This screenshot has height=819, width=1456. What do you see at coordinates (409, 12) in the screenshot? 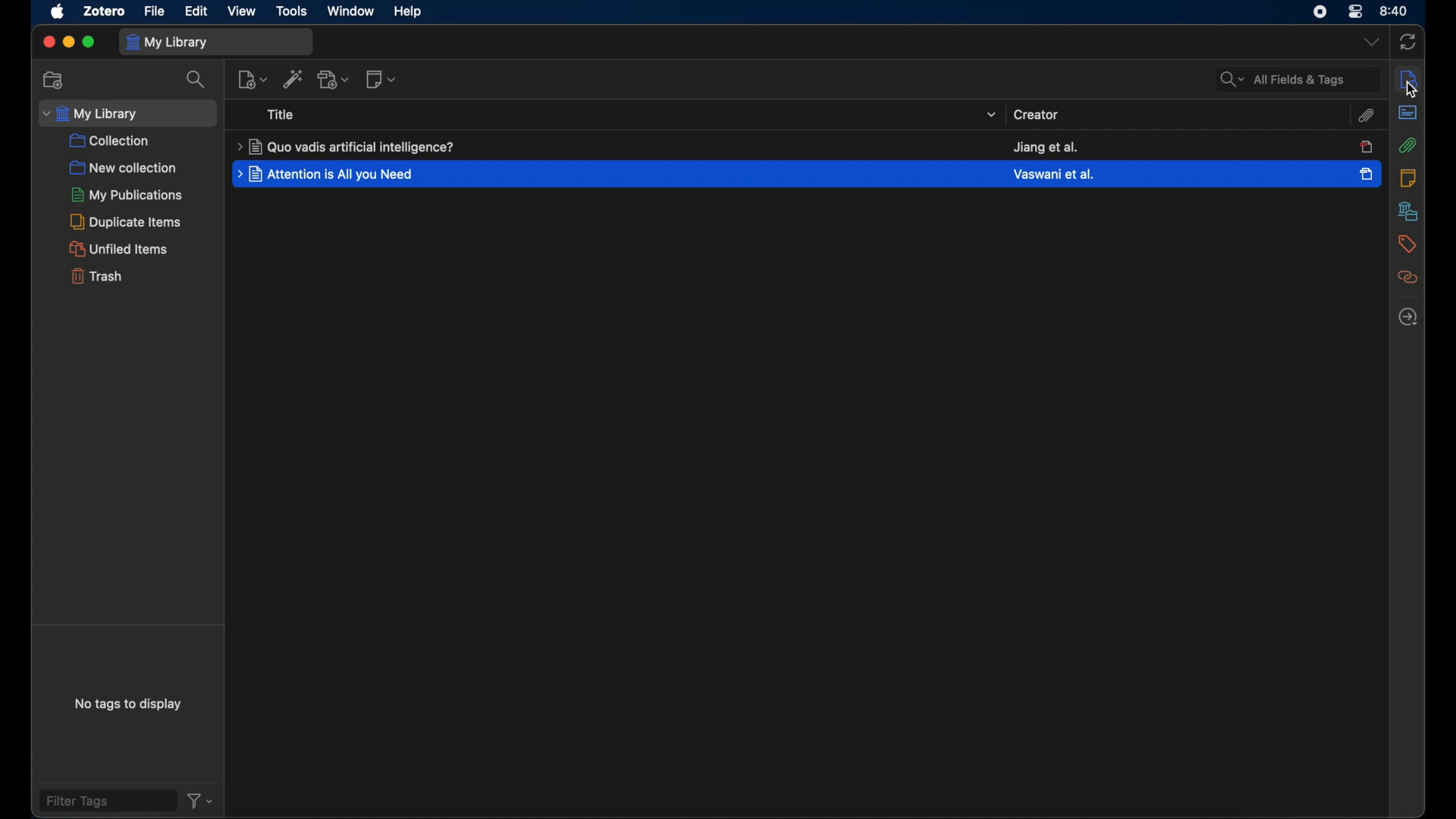
I see `help` at bounding box center [409, 12].